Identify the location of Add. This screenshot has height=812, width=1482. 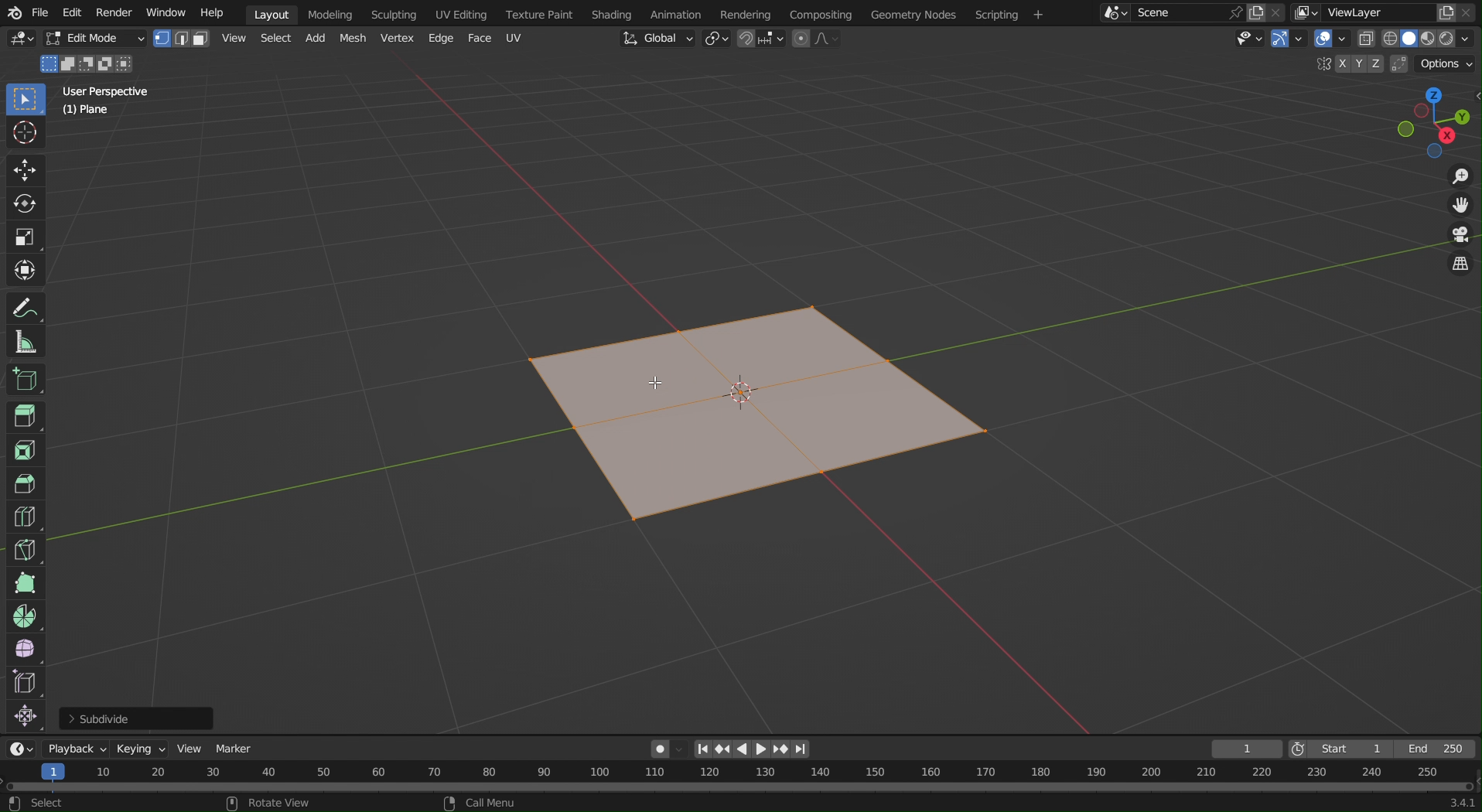
(313, 40).